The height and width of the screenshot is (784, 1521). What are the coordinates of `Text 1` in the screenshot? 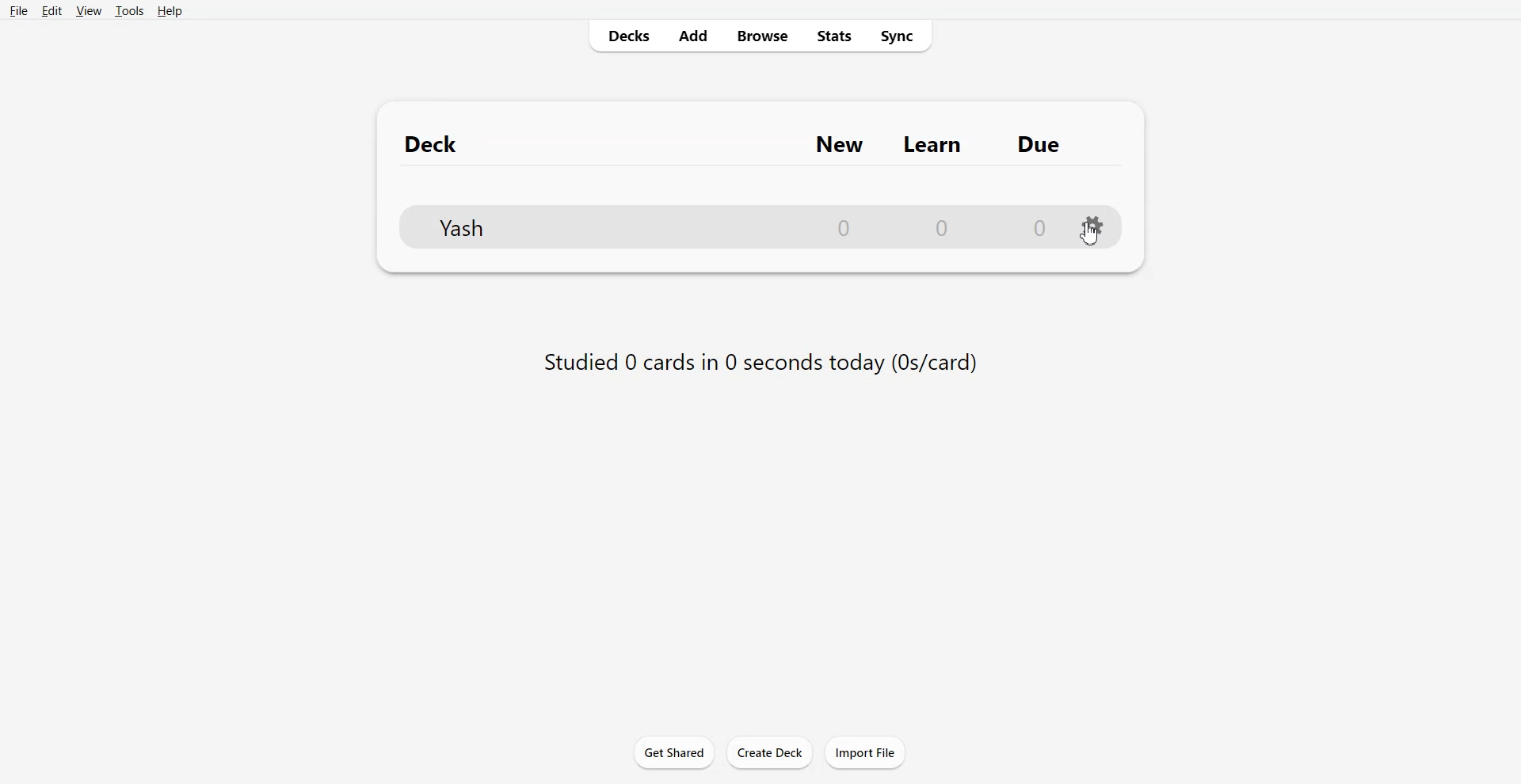 It's located at (749, 143).